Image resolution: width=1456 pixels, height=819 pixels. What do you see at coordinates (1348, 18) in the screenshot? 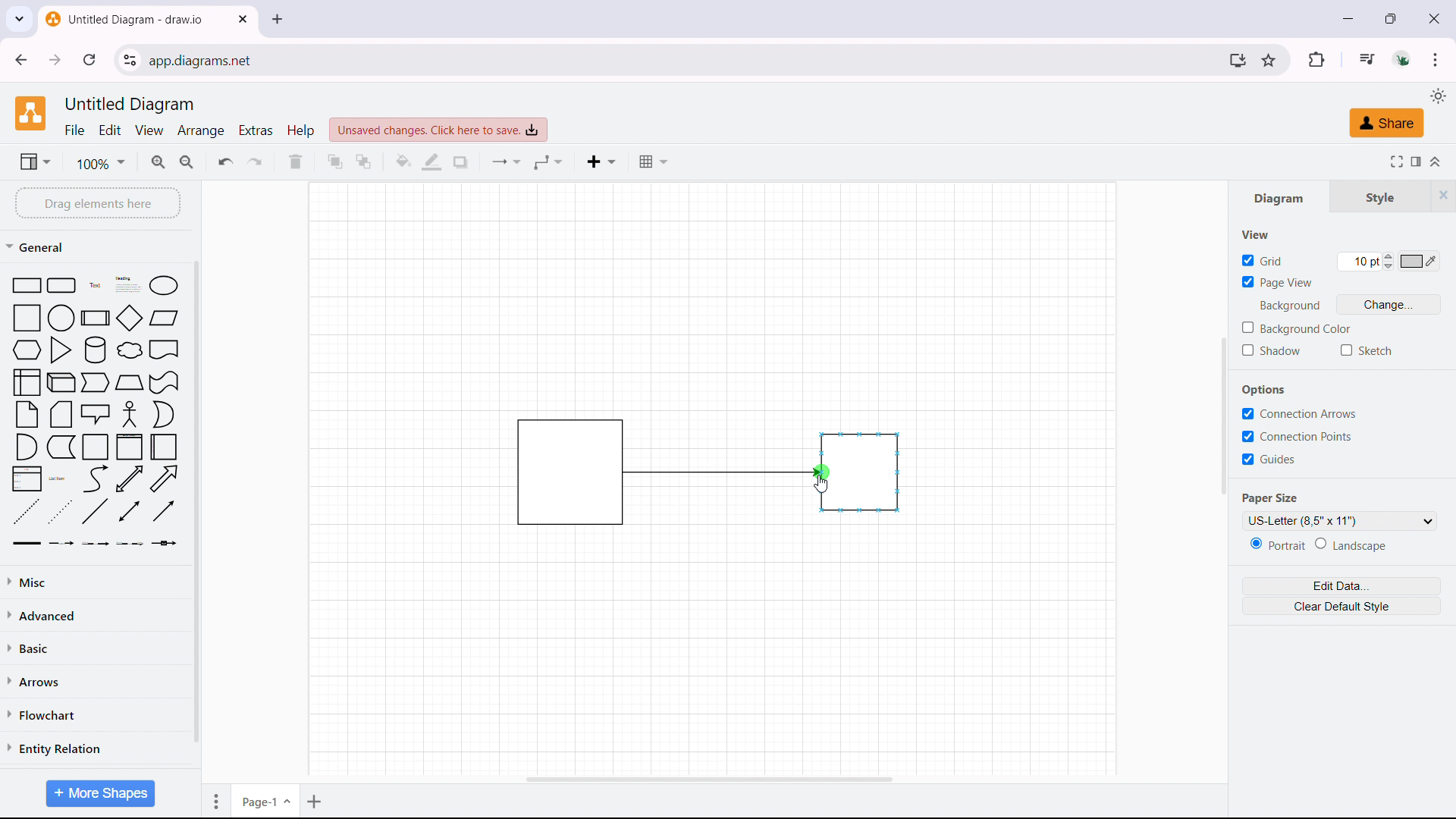
I see `minimize` at bounding box center [1348, 18].